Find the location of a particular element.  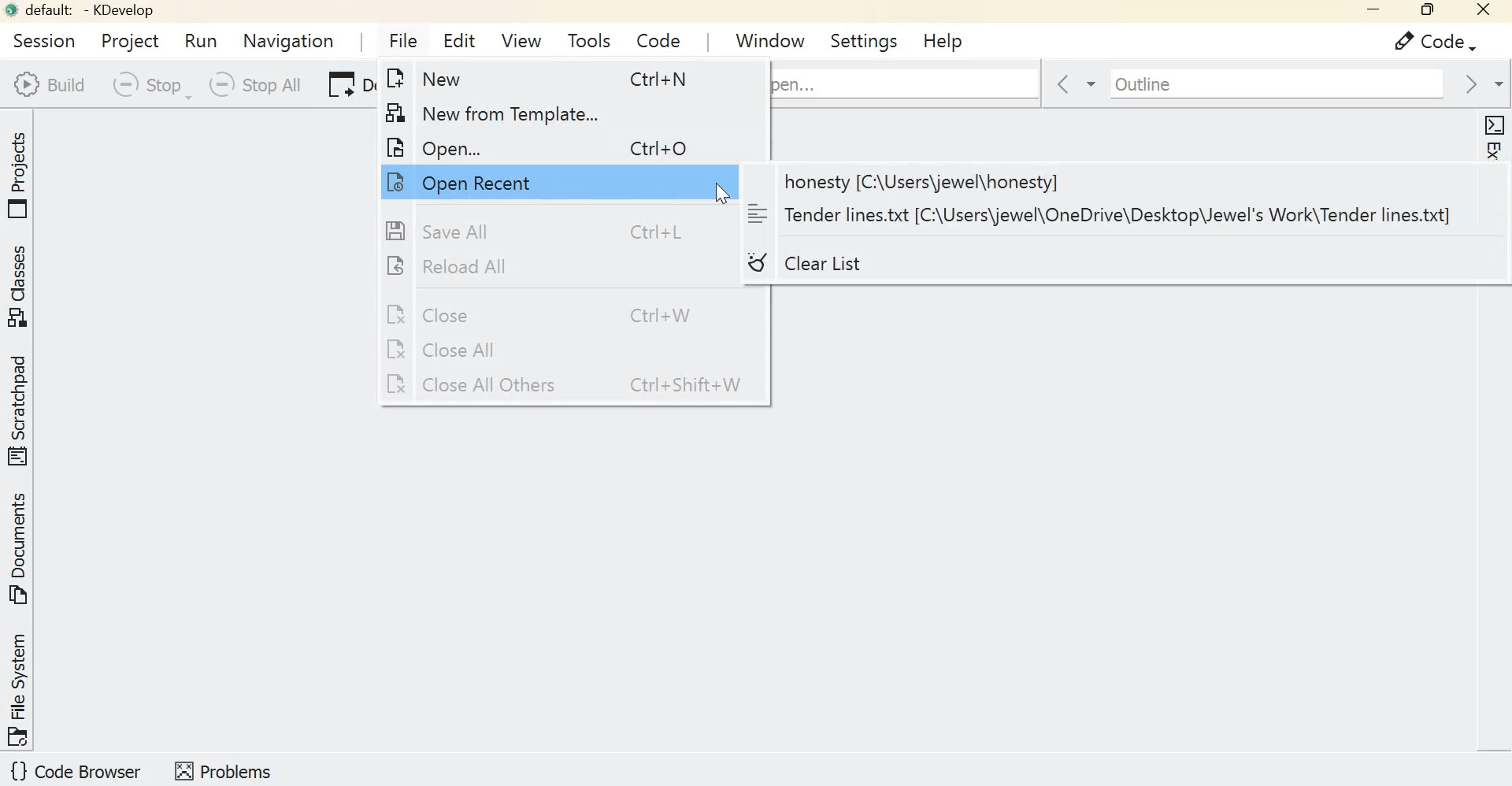

Tools is located at coordinates (589, 40).